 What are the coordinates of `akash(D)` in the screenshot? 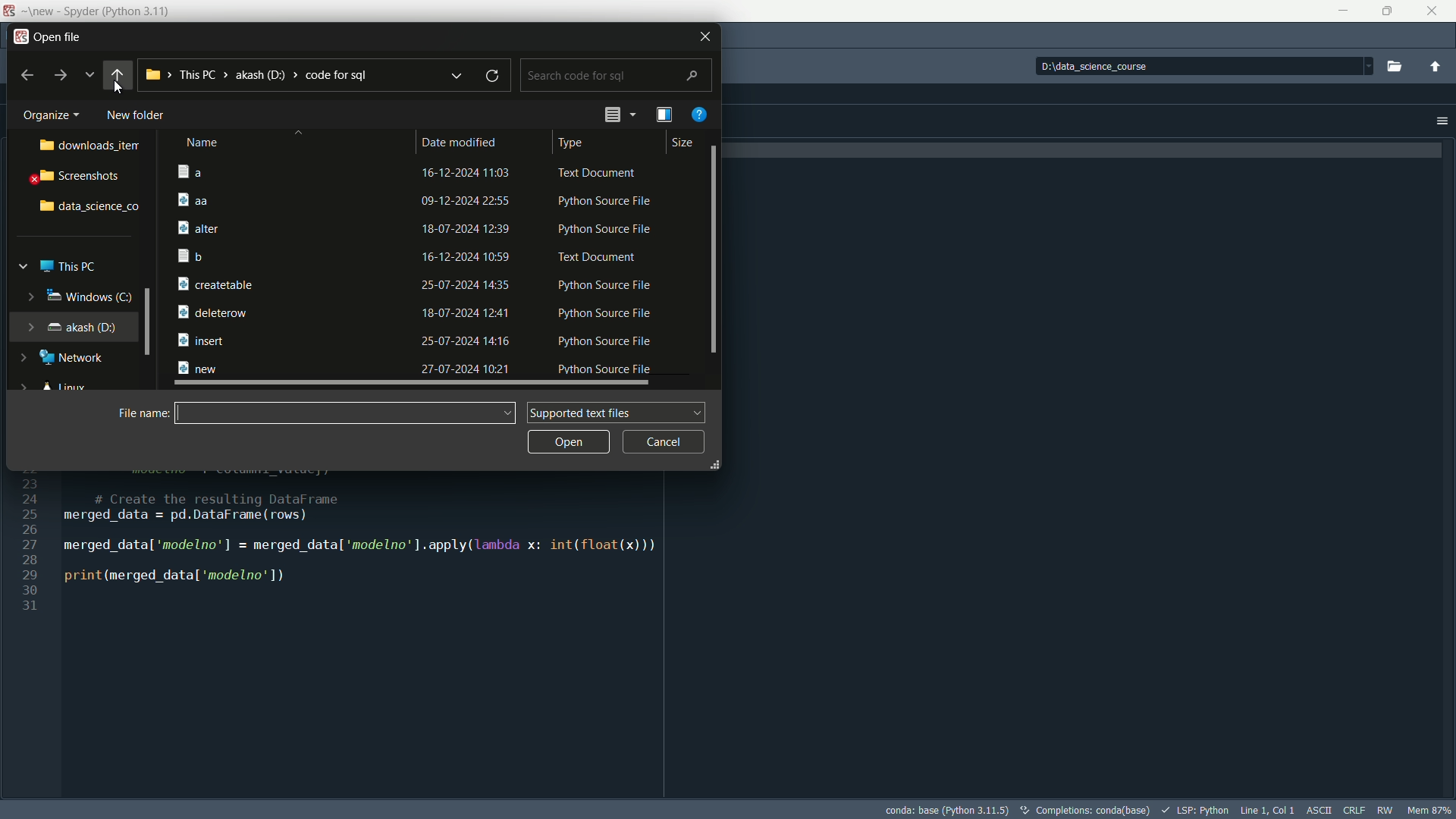 It's located at (87, 326).